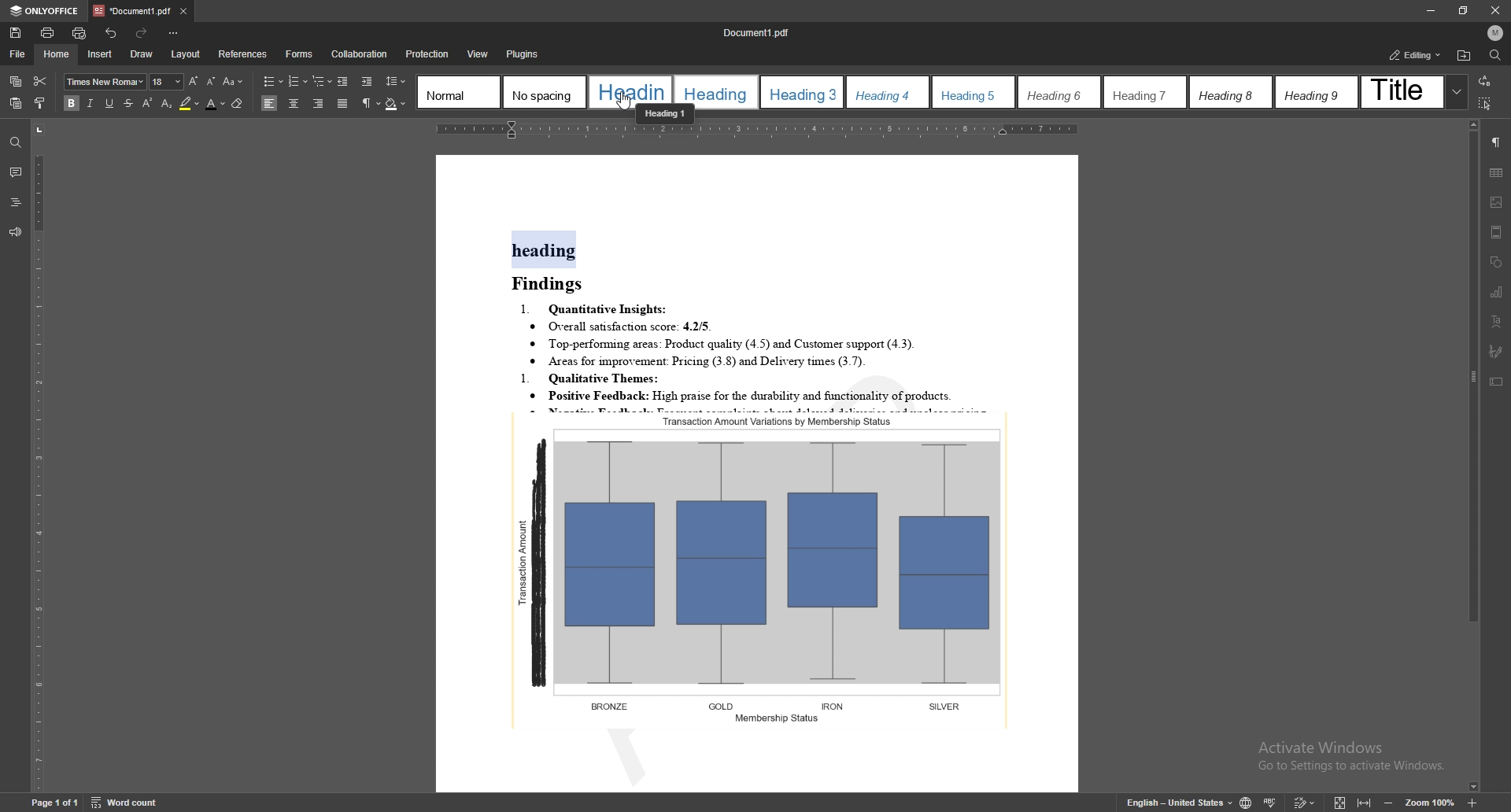 The width and height of the screenshot is (1511, 812). Describe the element at coordinates (238, 103) in the screenshot. I see `eraser` at that location.